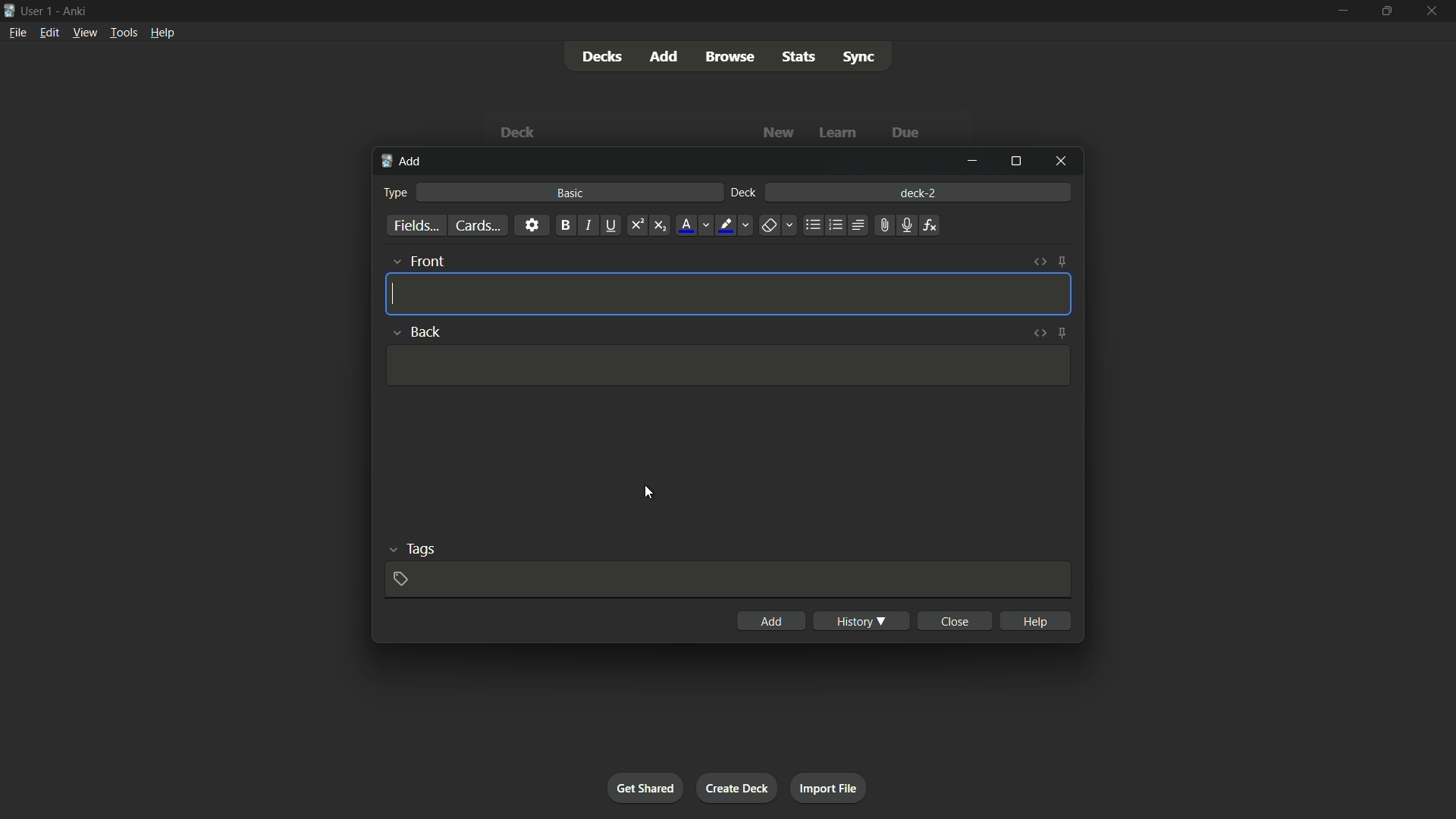 This screenshot has width=1456, height=819. Describe the element at coordinates (479, 225) in the screenshot. I see `cards` at that location.